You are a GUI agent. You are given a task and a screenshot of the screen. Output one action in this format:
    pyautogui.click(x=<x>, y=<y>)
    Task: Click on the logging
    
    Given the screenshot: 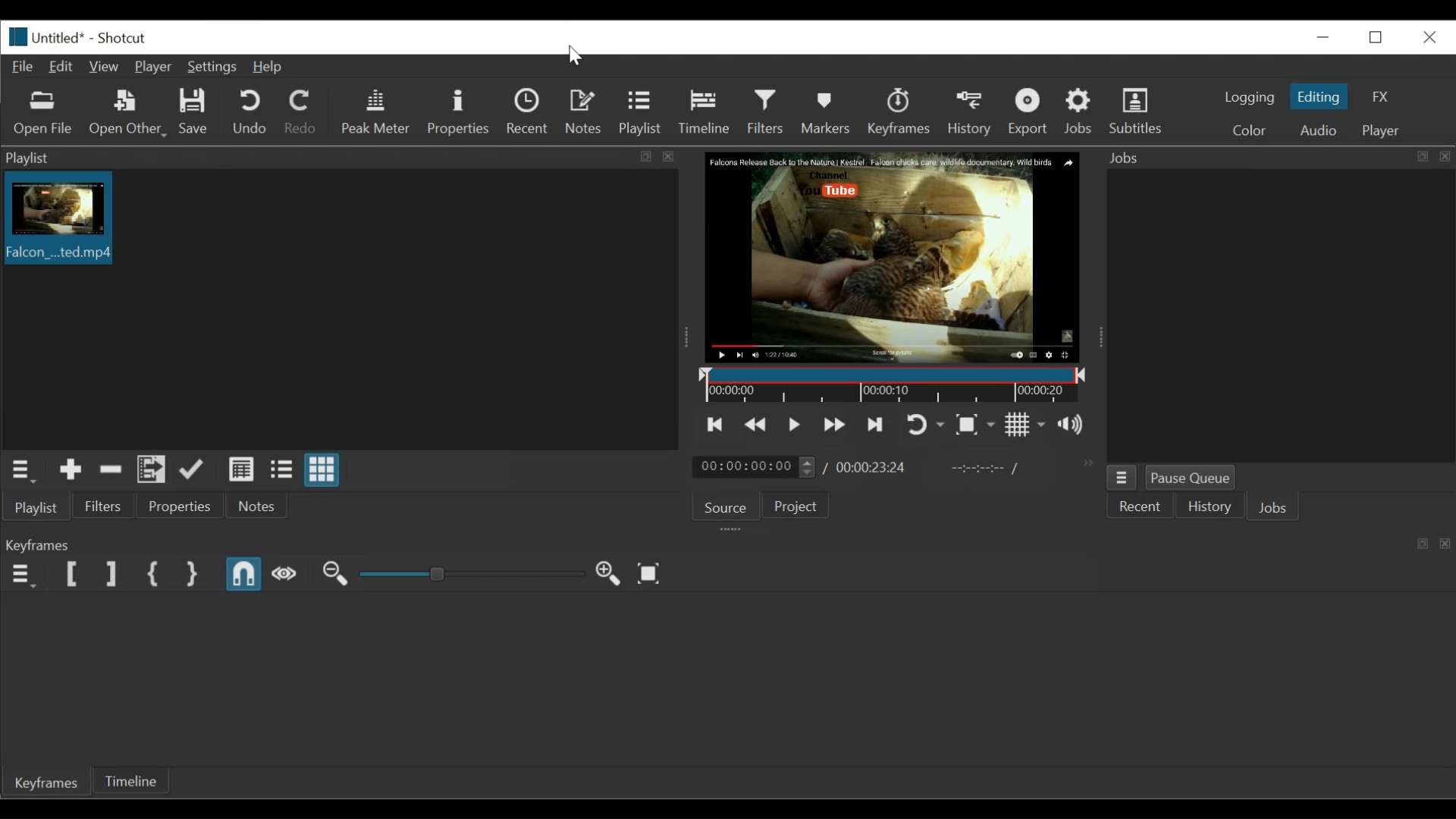 What is the action you would take?
    pyautogui.click(x=1250, y=98)
    